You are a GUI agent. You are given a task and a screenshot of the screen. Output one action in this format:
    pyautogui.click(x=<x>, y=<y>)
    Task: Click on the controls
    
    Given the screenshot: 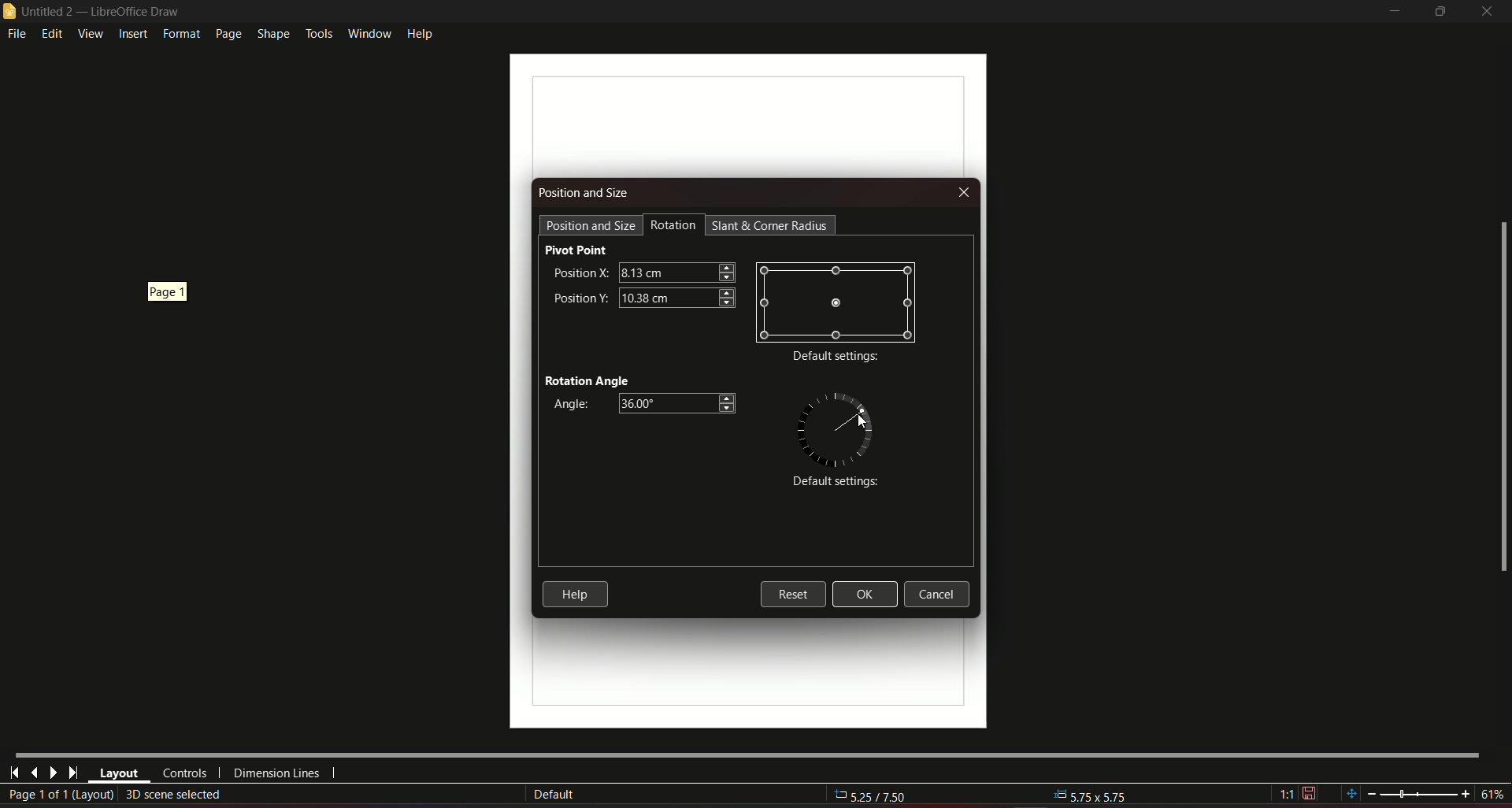 What is the action you would take?
    pyautogui.click(x=183, y=773)
    